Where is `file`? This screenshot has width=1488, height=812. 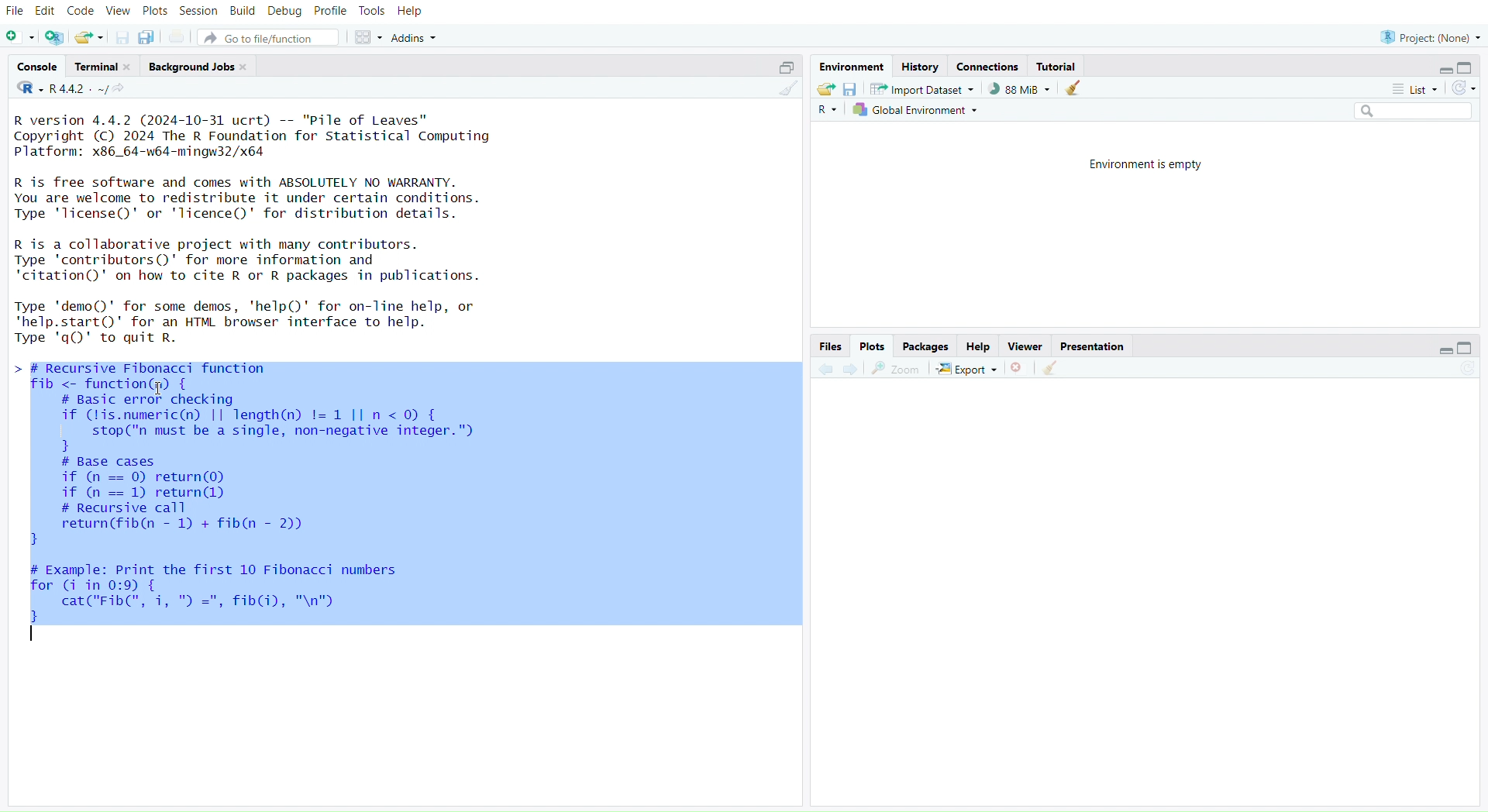 file is located at coordinates (15, 12).